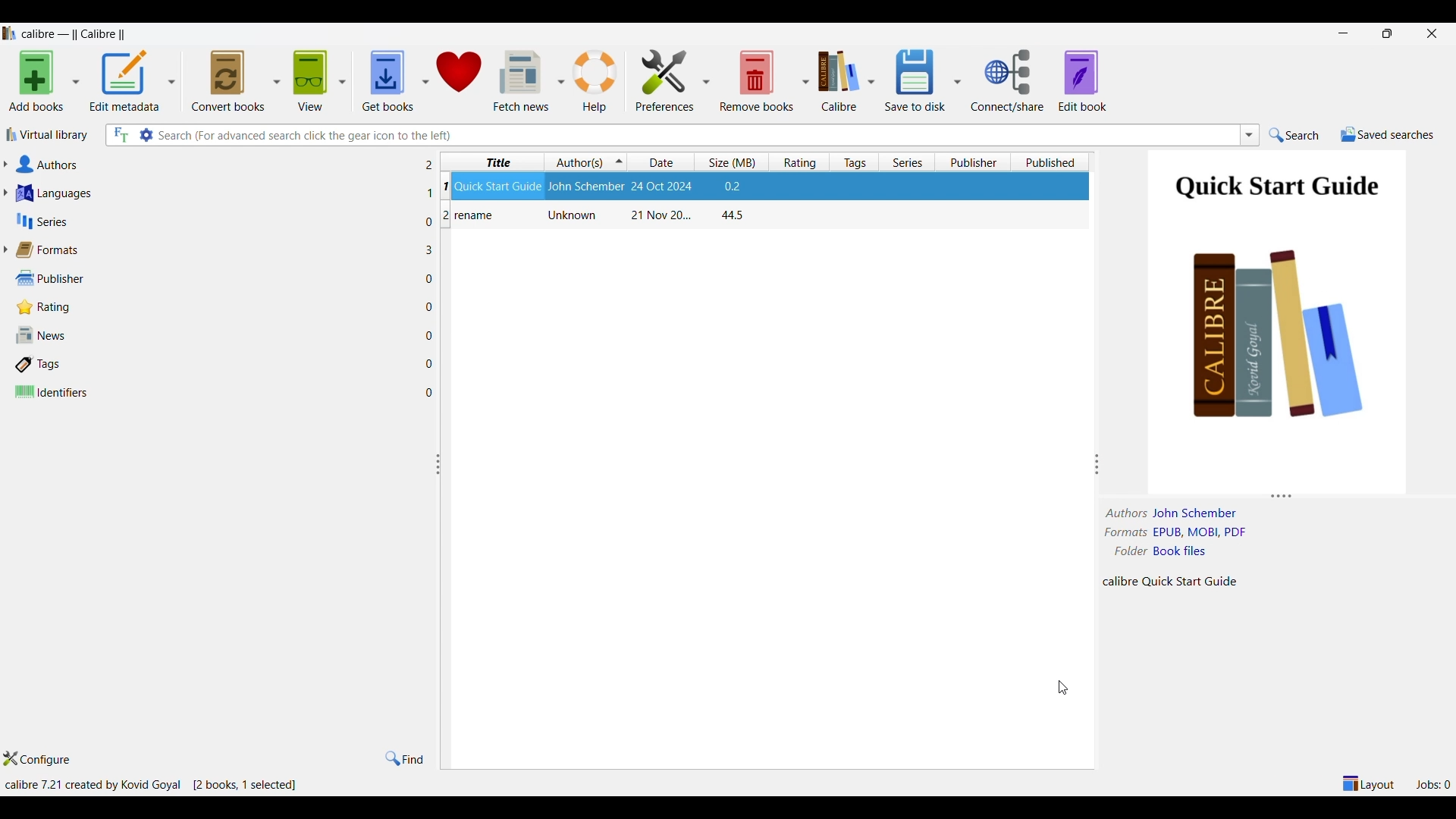 This screenshot has height=819, width=1456. Describe the element at coordinates (341, 81) in the screenshot. I see `View options` at that location.